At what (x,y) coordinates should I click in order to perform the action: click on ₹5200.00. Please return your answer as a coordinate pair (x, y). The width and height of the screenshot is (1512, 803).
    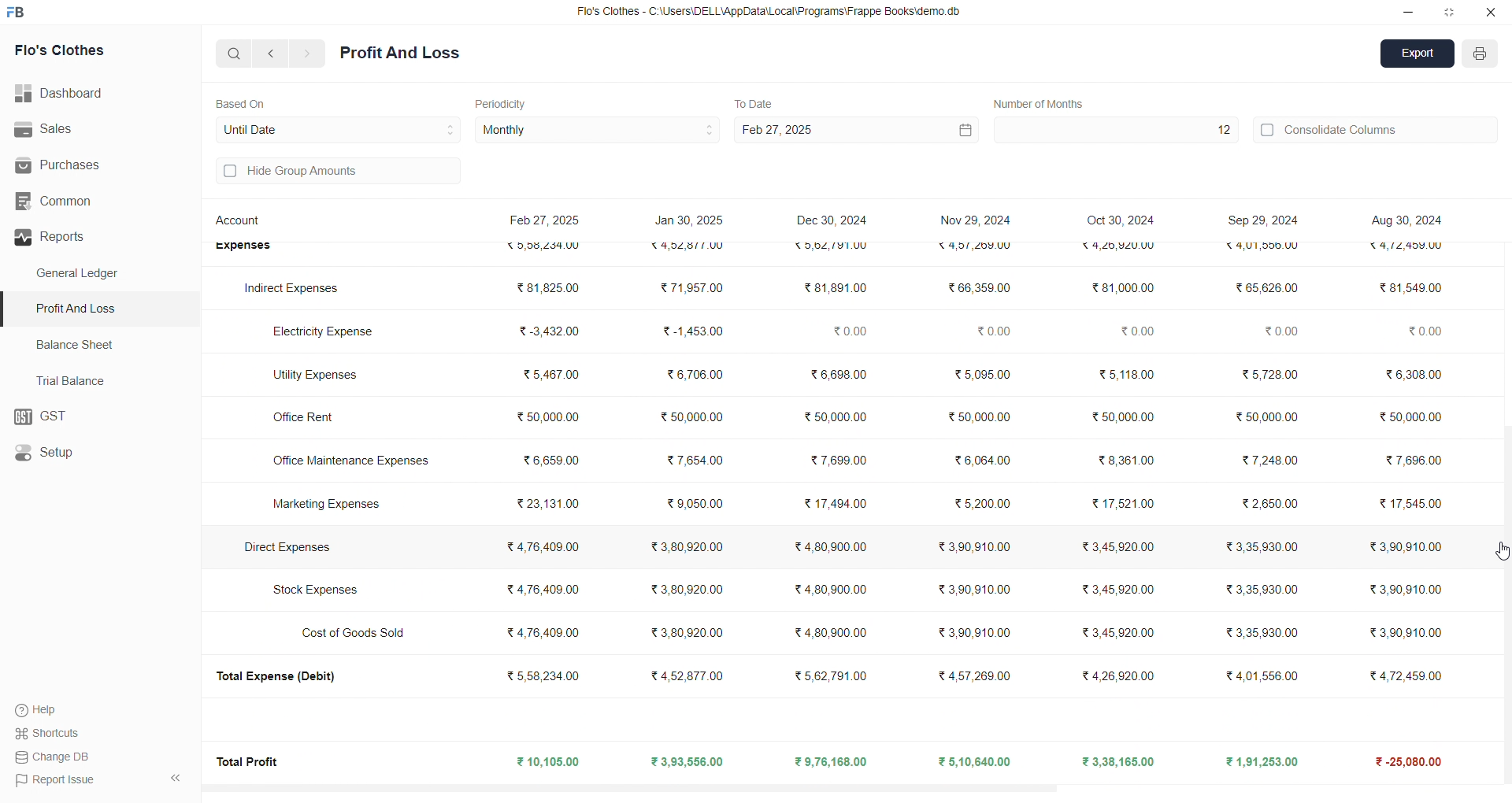
    Looking at the image, I should click on (984, 503).